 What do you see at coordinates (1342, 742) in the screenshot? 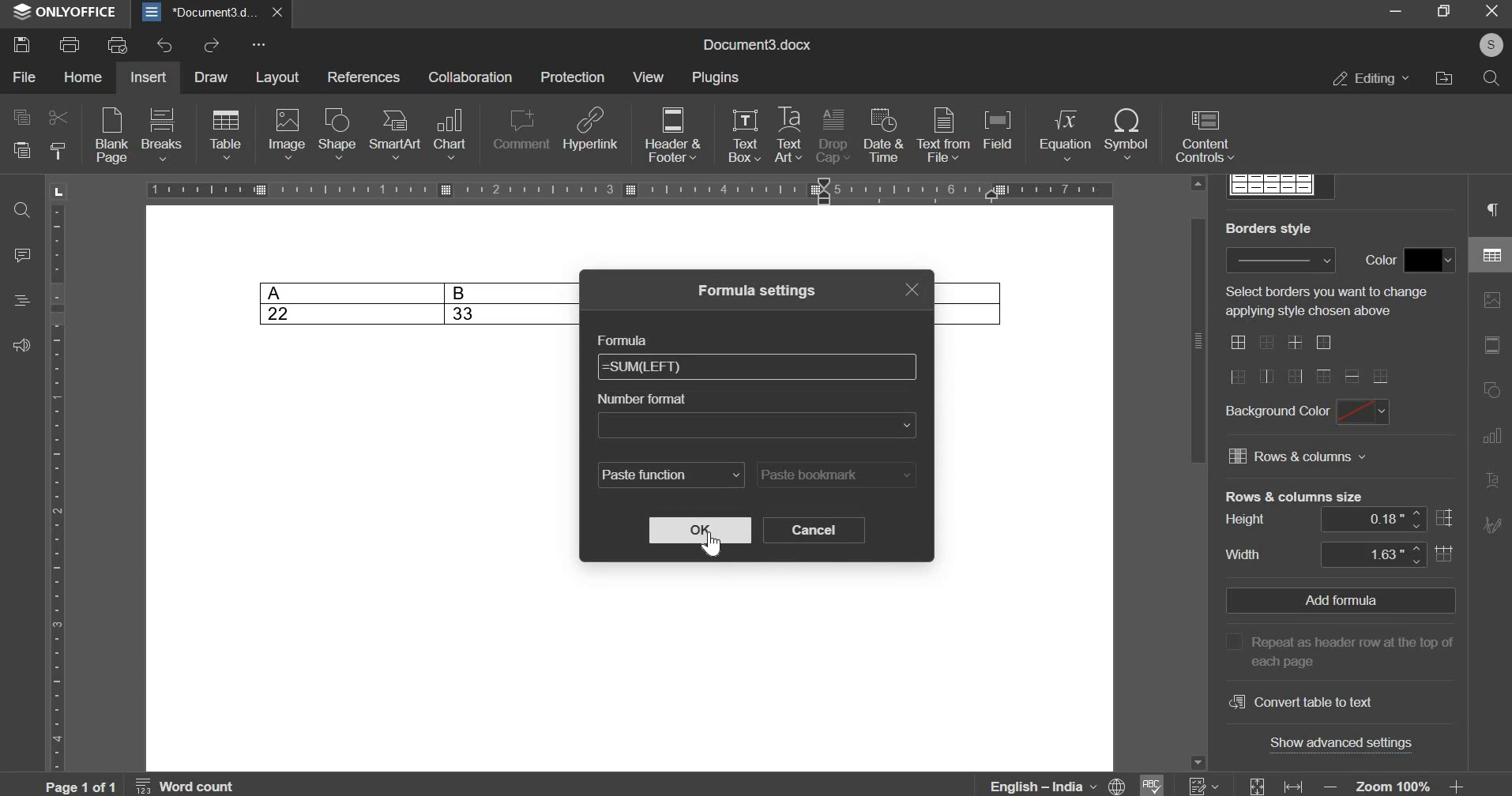
I see `show advanced settings` at bounding box center [1342, 742].